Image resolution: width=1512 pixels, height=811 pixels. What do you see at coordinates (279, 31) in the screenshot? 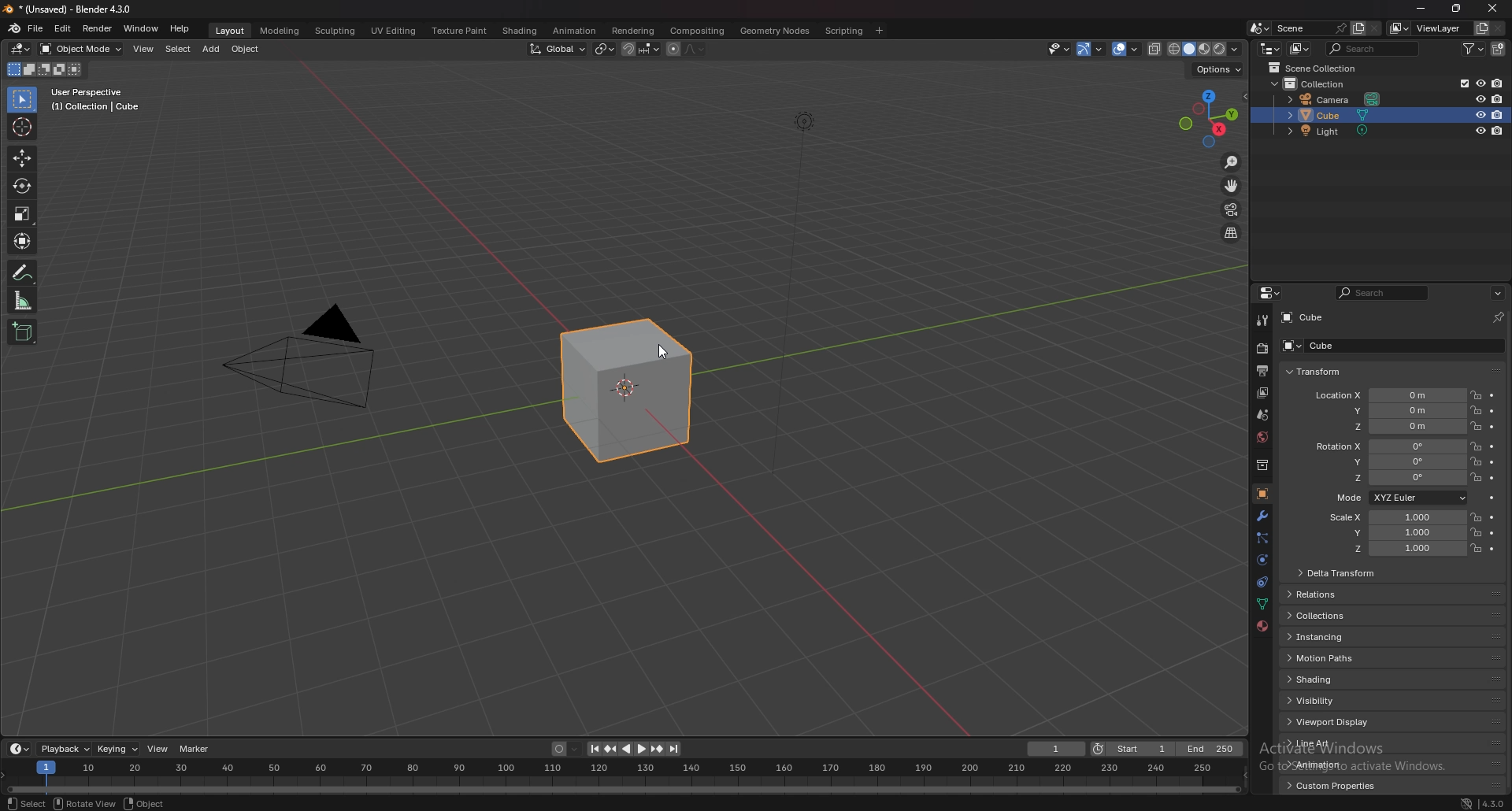
I see `modeling` at bounding box center [279, 31].